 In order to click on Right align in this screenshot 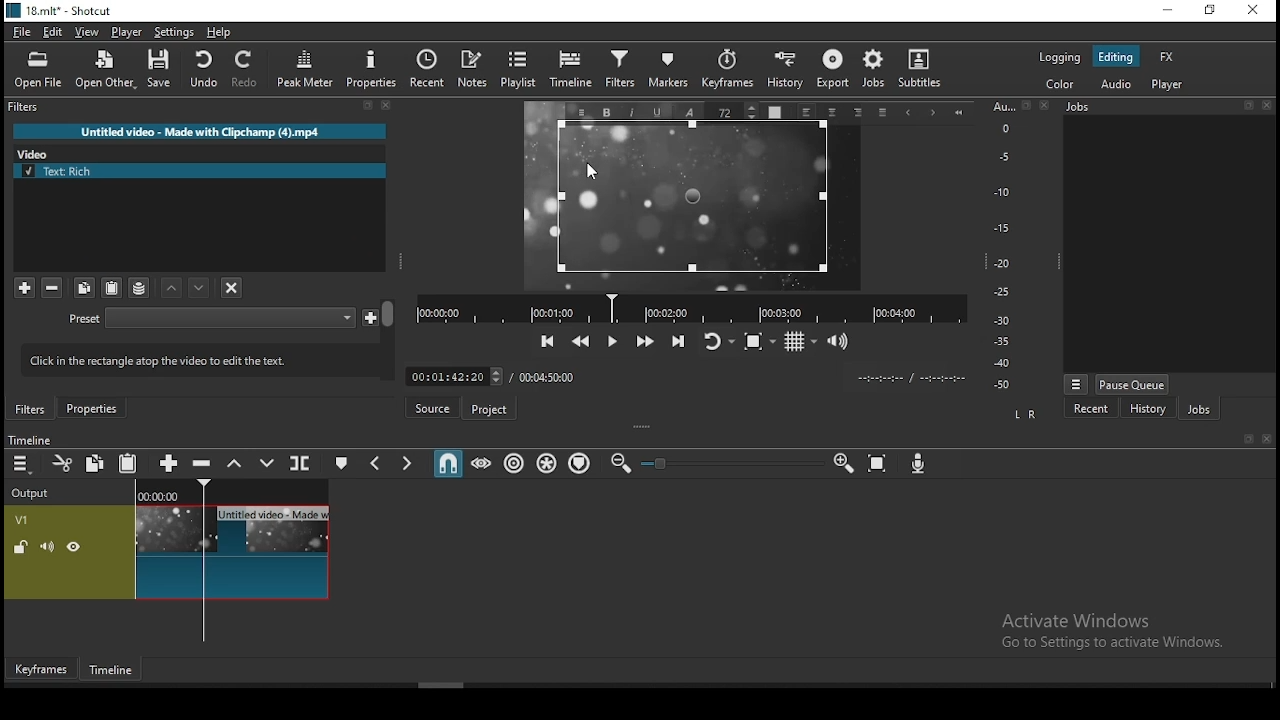, I will do `click(858, 112)`.